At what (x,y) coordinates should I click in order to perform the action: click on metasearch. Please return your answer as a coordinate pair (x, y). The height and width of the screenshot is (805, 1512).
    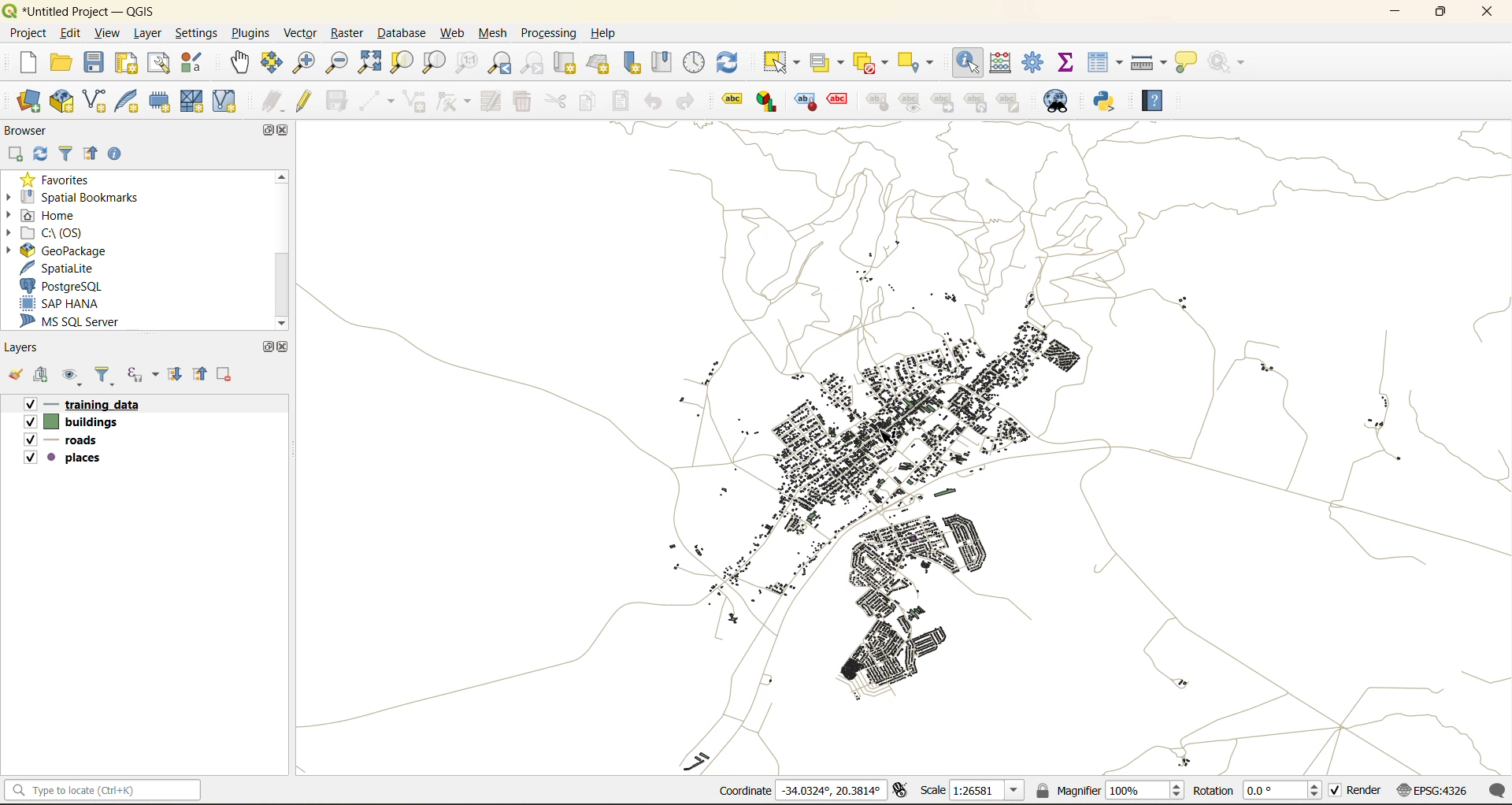
    Looking at the image, I should click on (1063, 104).